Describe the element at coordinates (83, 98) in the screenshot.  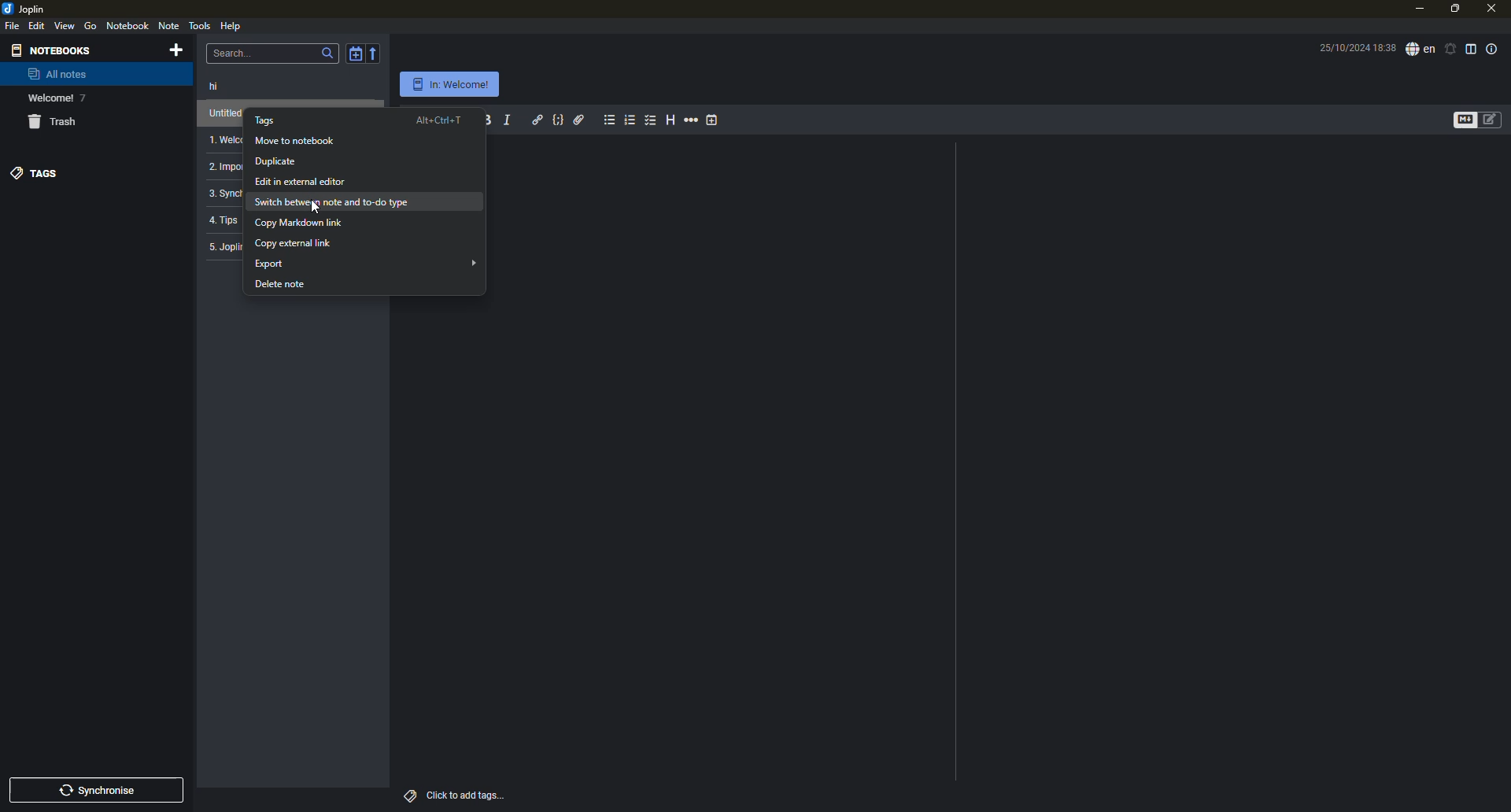
I see `7` at that location.